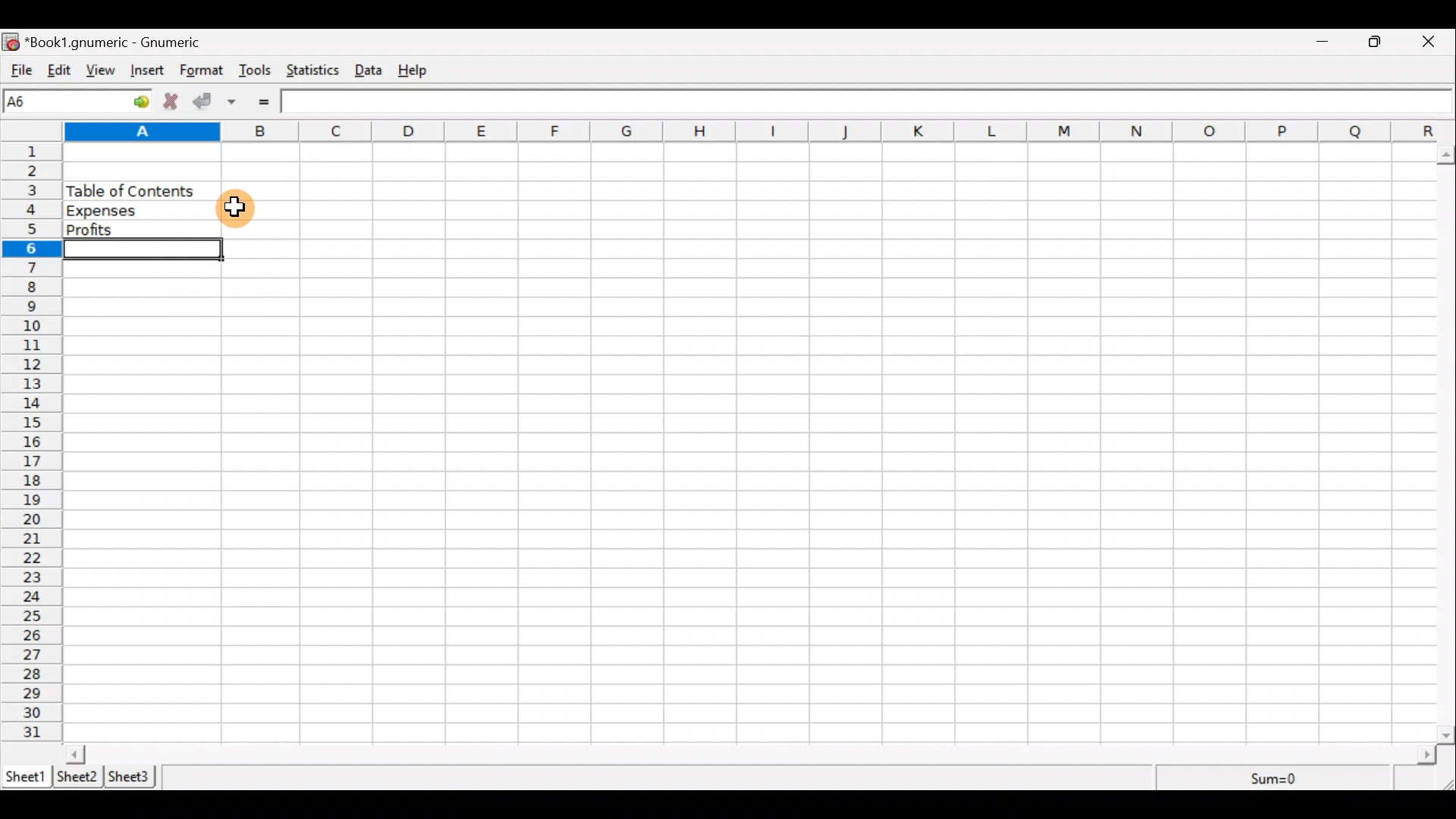 This screenshot has width=1456, height=819. Describe the element at coordinates (174, 103) in the screenshot. I see `Cancel change` at that location.